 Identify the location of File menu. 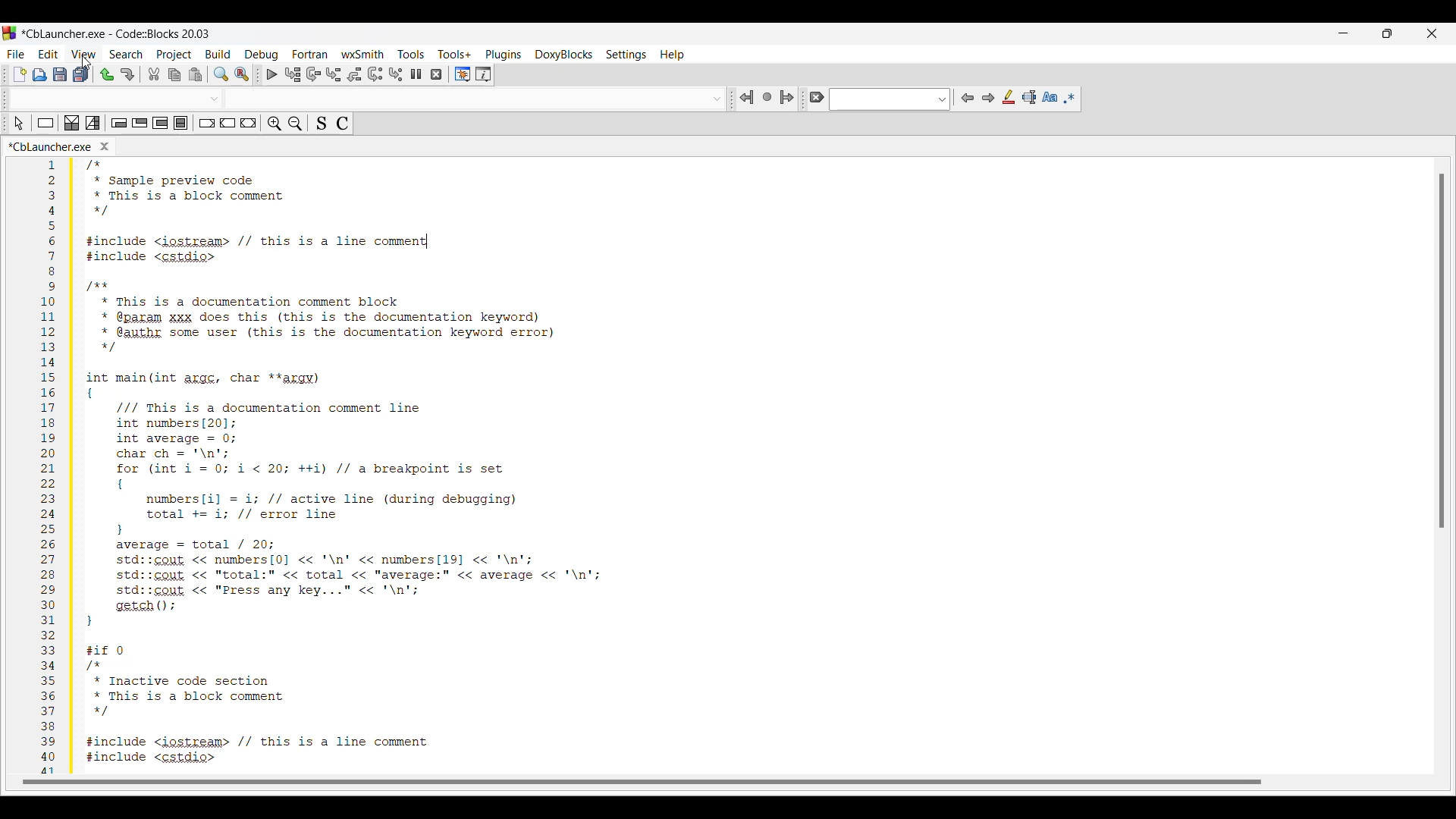
(16, 55).